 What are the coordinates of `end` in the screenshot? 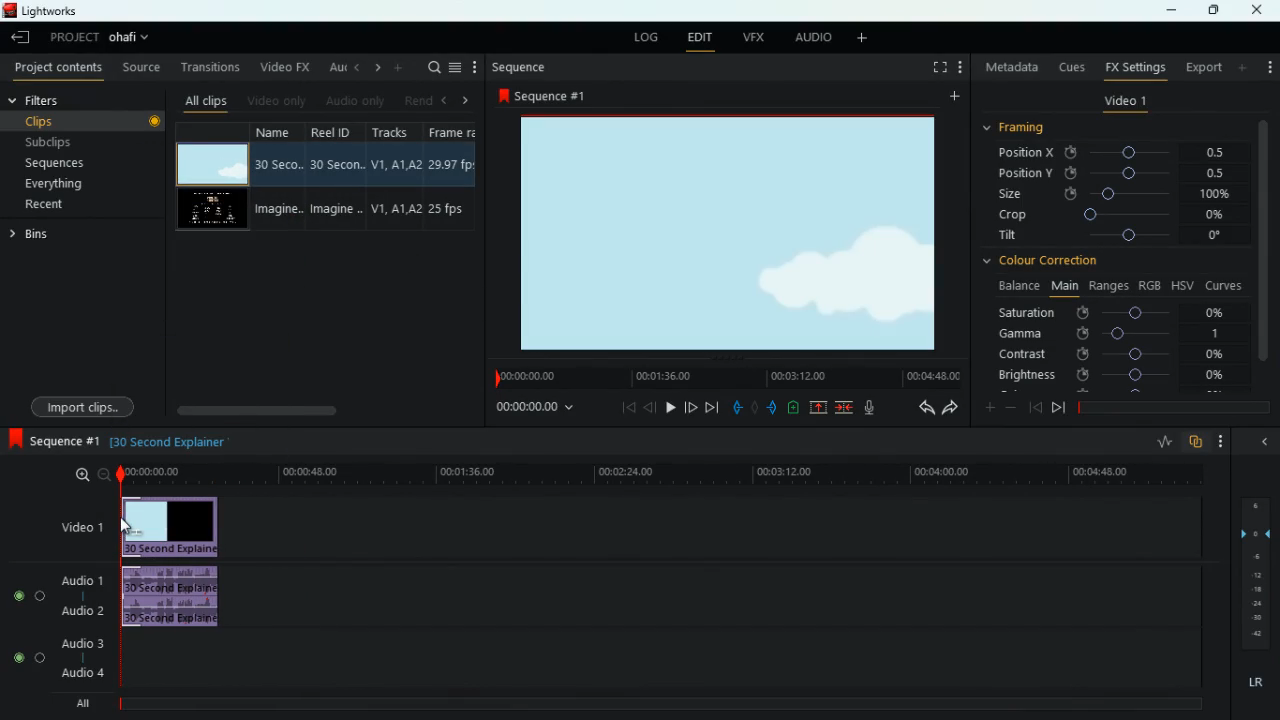 It's located at (712, 406).